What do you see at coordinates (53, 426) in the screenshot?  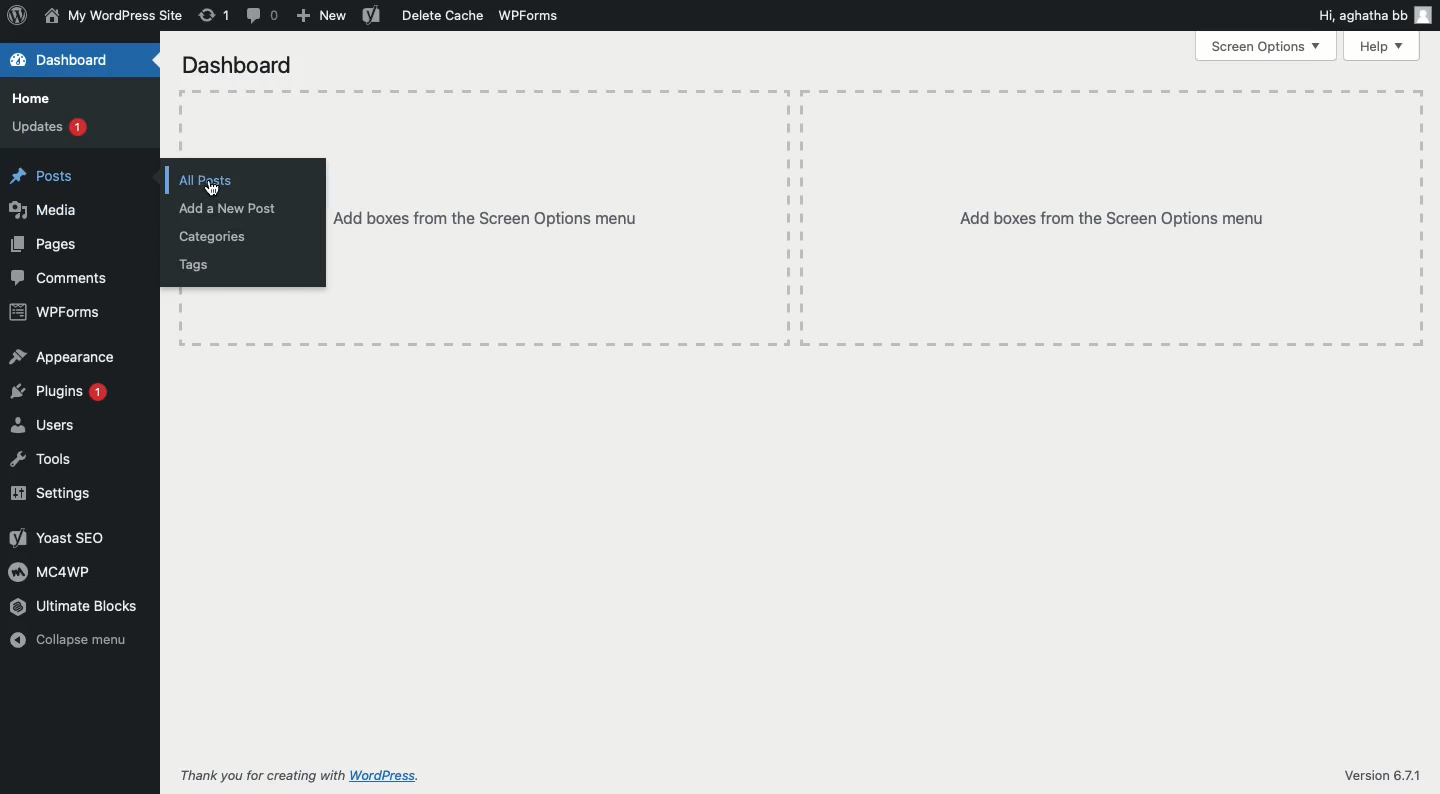 I see `Users` at bounding box center [53, 426].